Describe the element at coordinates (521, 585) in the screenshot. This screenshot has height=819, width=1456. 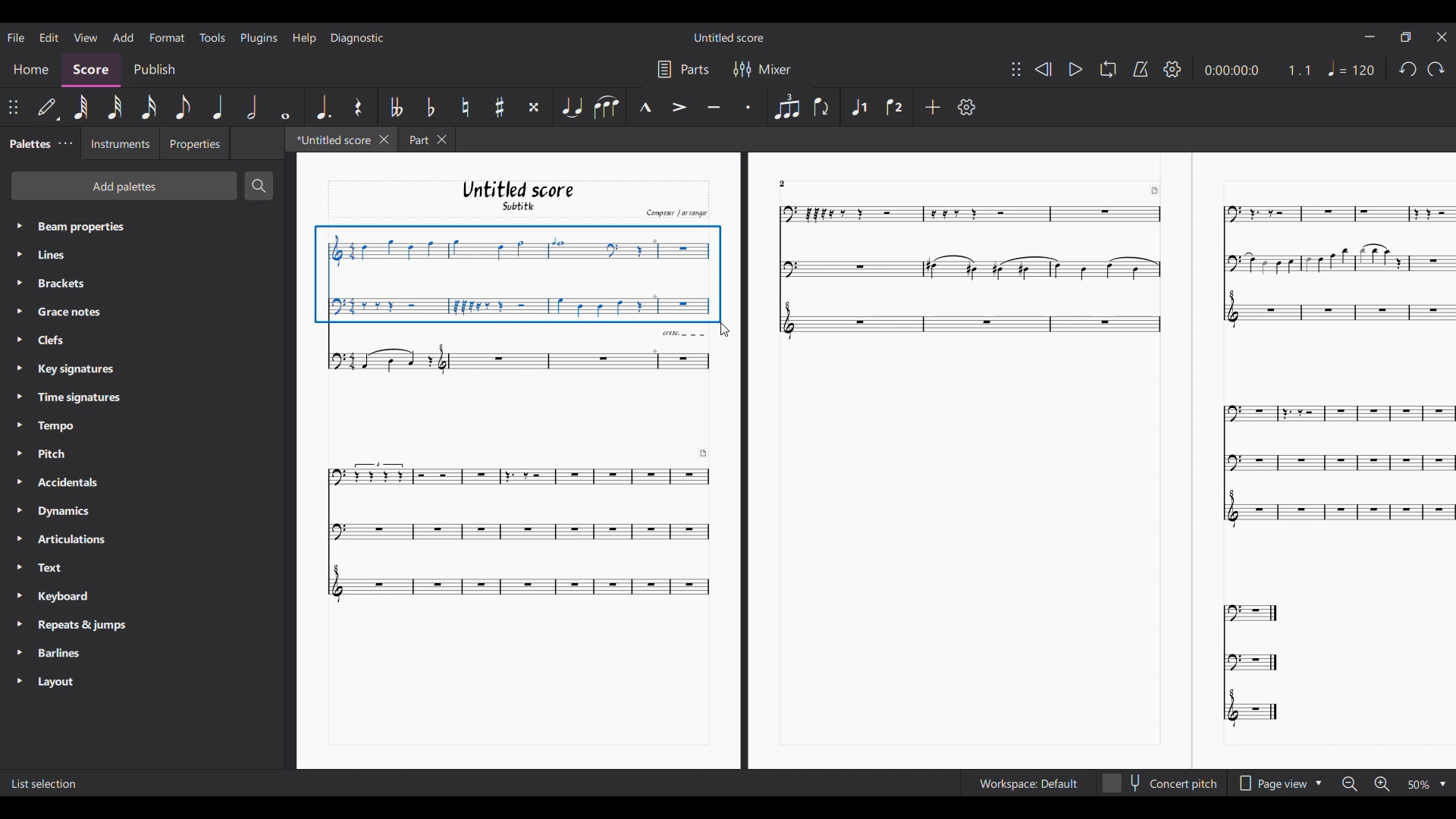
I see `` at that location.